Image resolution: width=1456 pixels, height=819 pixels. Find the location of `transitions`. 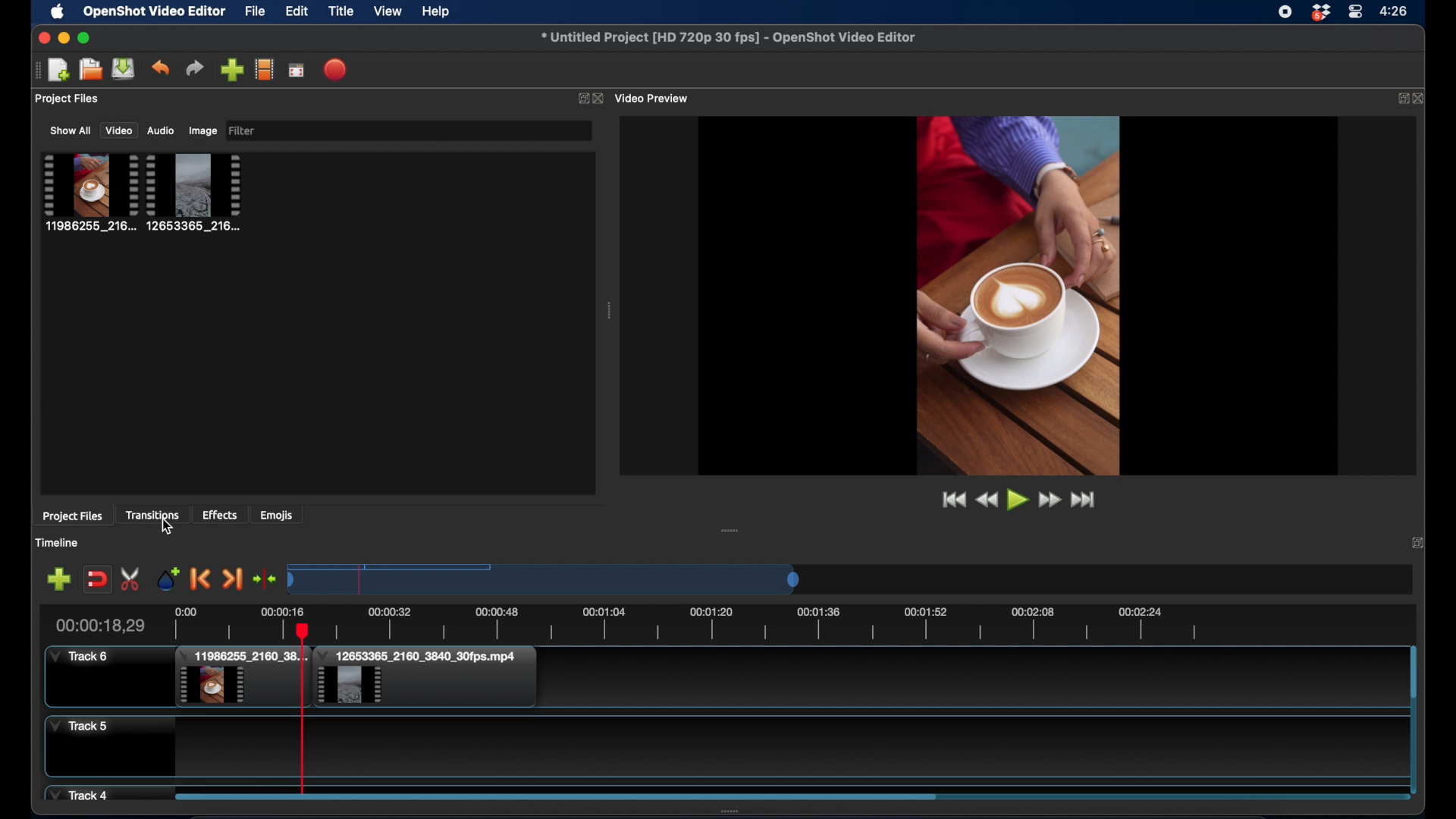

transitions is located at coordinates (154, 515).